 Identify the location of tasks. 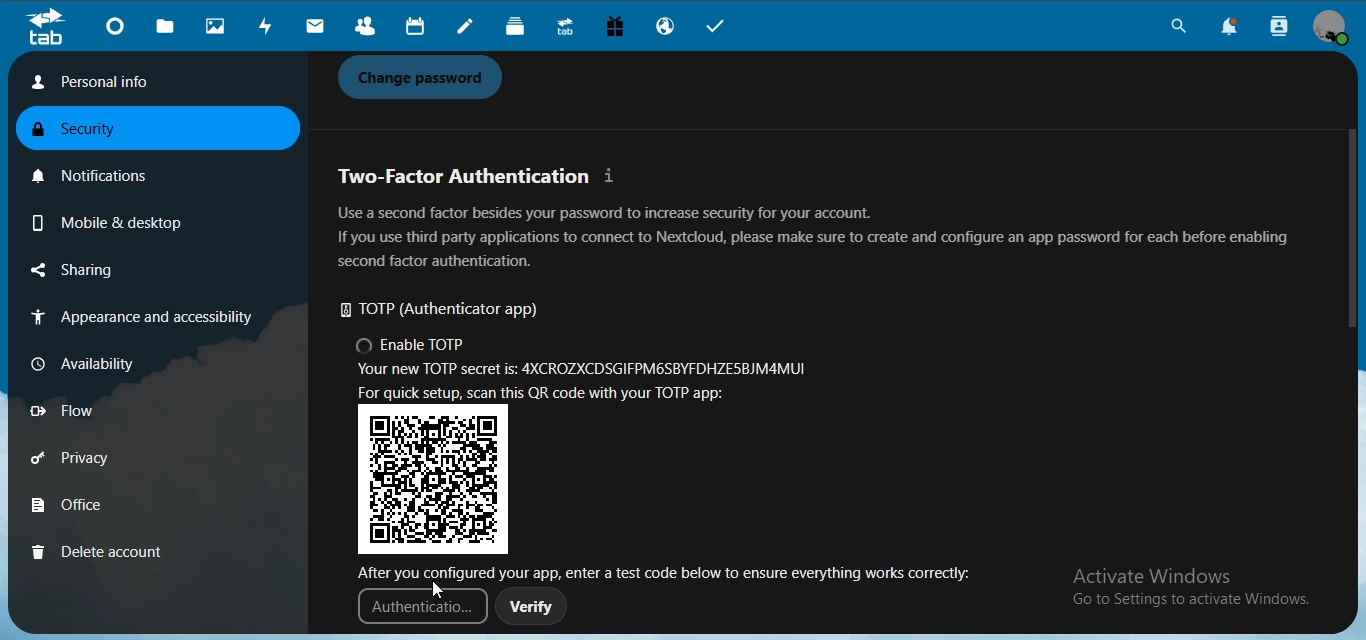
(723, 28).